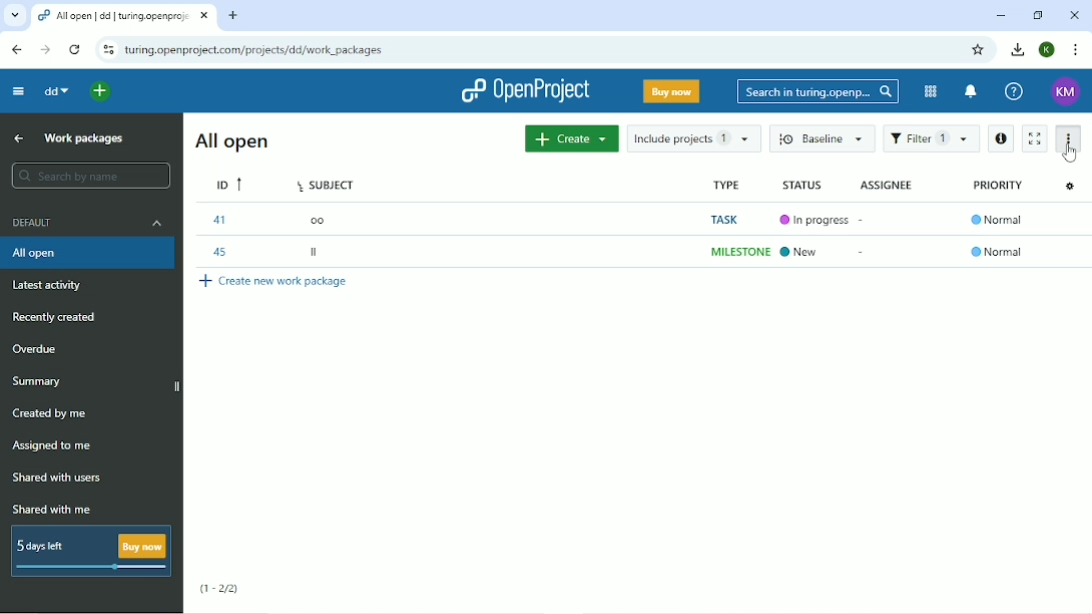 The image size is (1092, 614). I want to click on Close, so click(1074, 15).